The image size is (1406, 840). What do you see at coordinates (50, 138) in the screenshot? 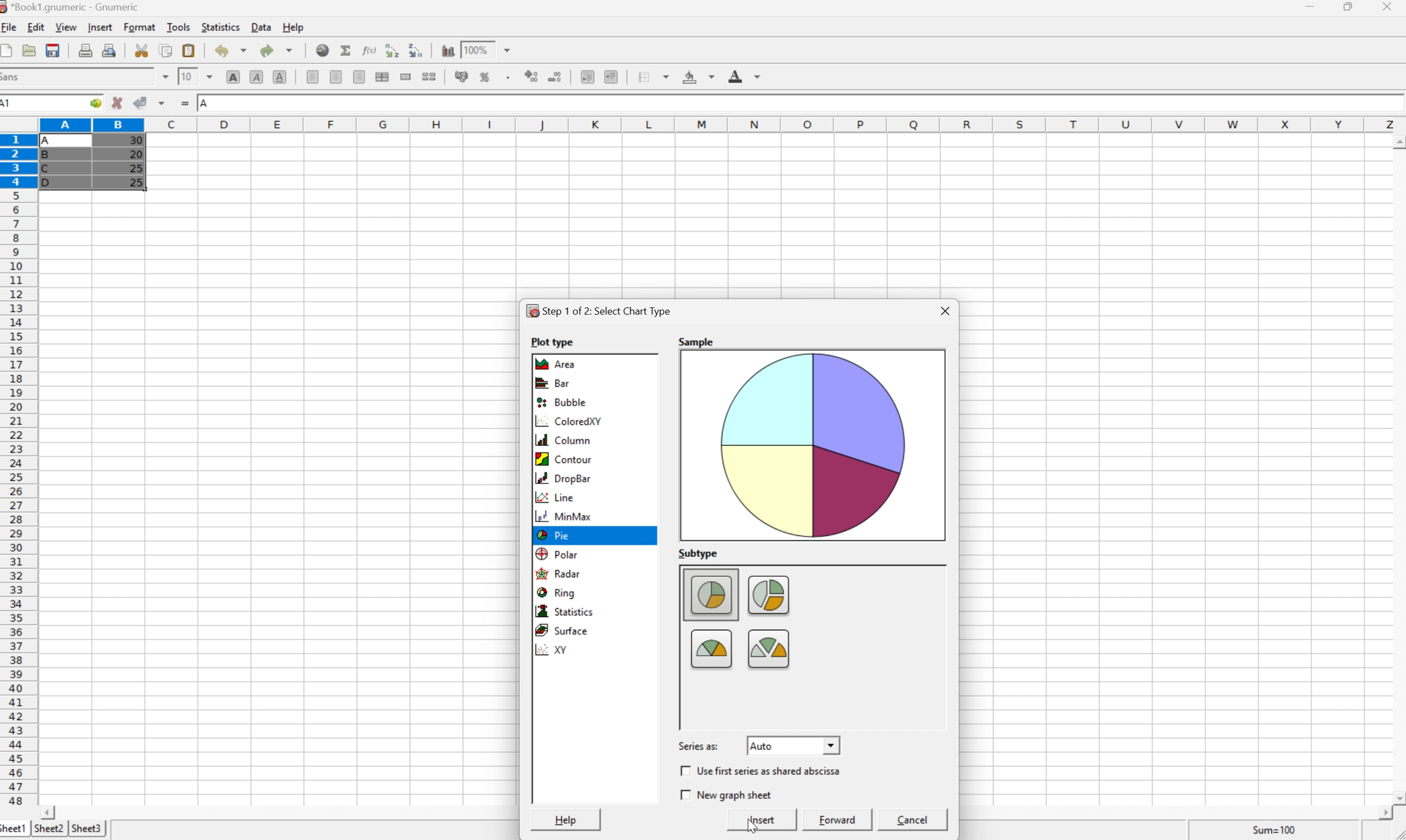
I see `A` at bounding box center [50, 138].